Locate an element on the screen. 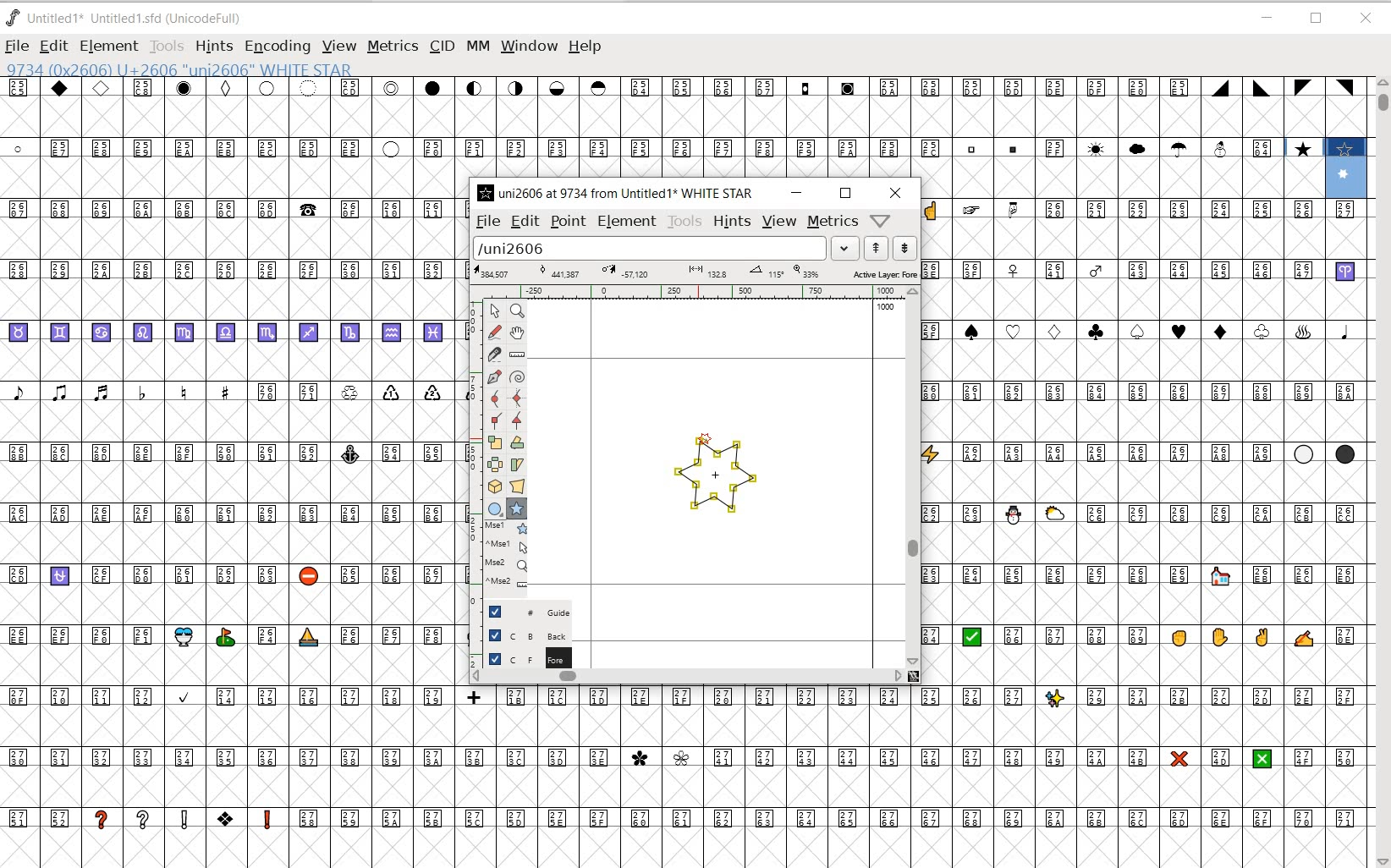  GLYPHY CHARACTERS & NUMBERS is located at coordinates (1144, 684).